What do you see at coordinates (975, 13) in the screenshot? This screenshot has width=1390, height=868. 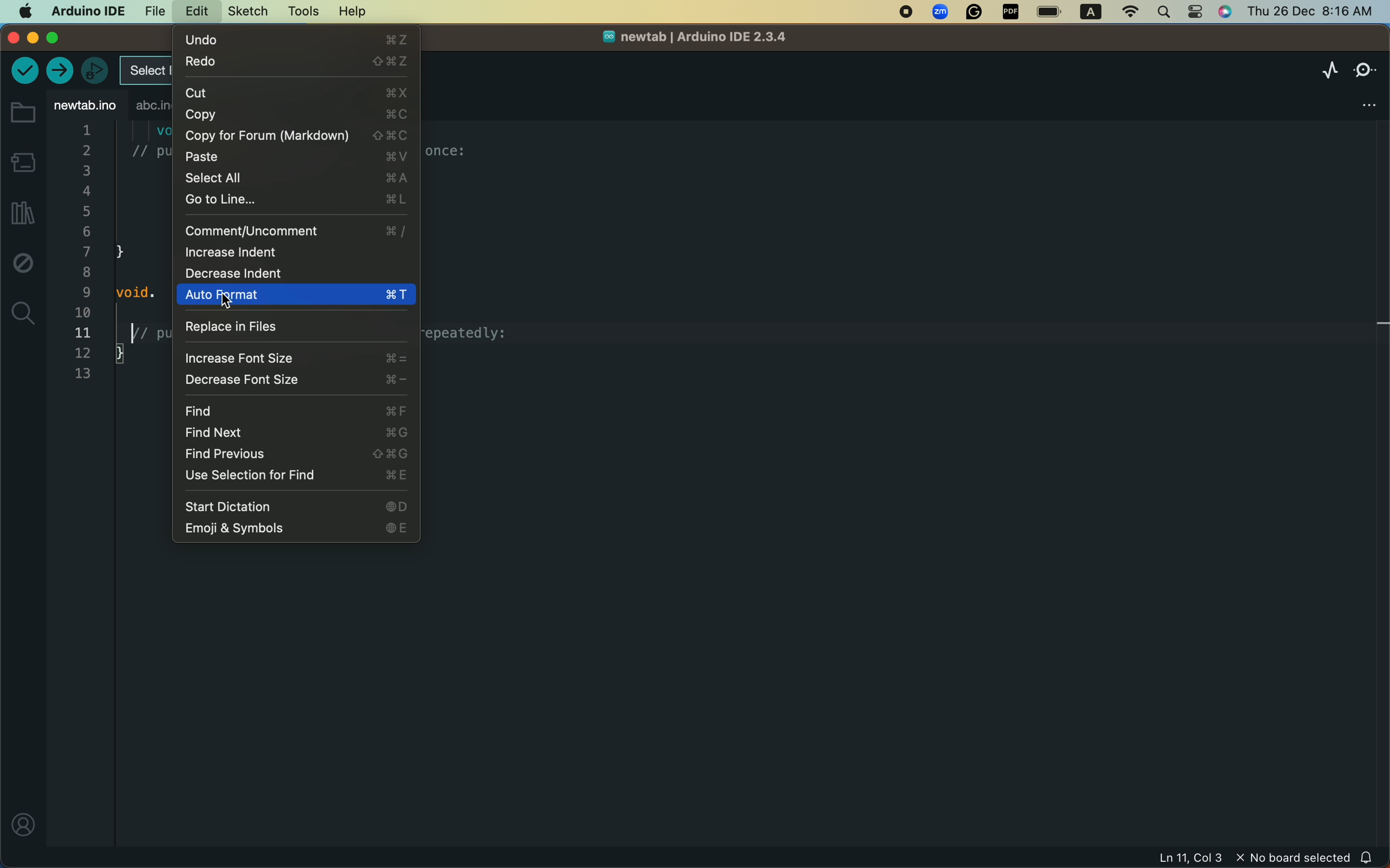 I see `` at bounding box center [975, 13].